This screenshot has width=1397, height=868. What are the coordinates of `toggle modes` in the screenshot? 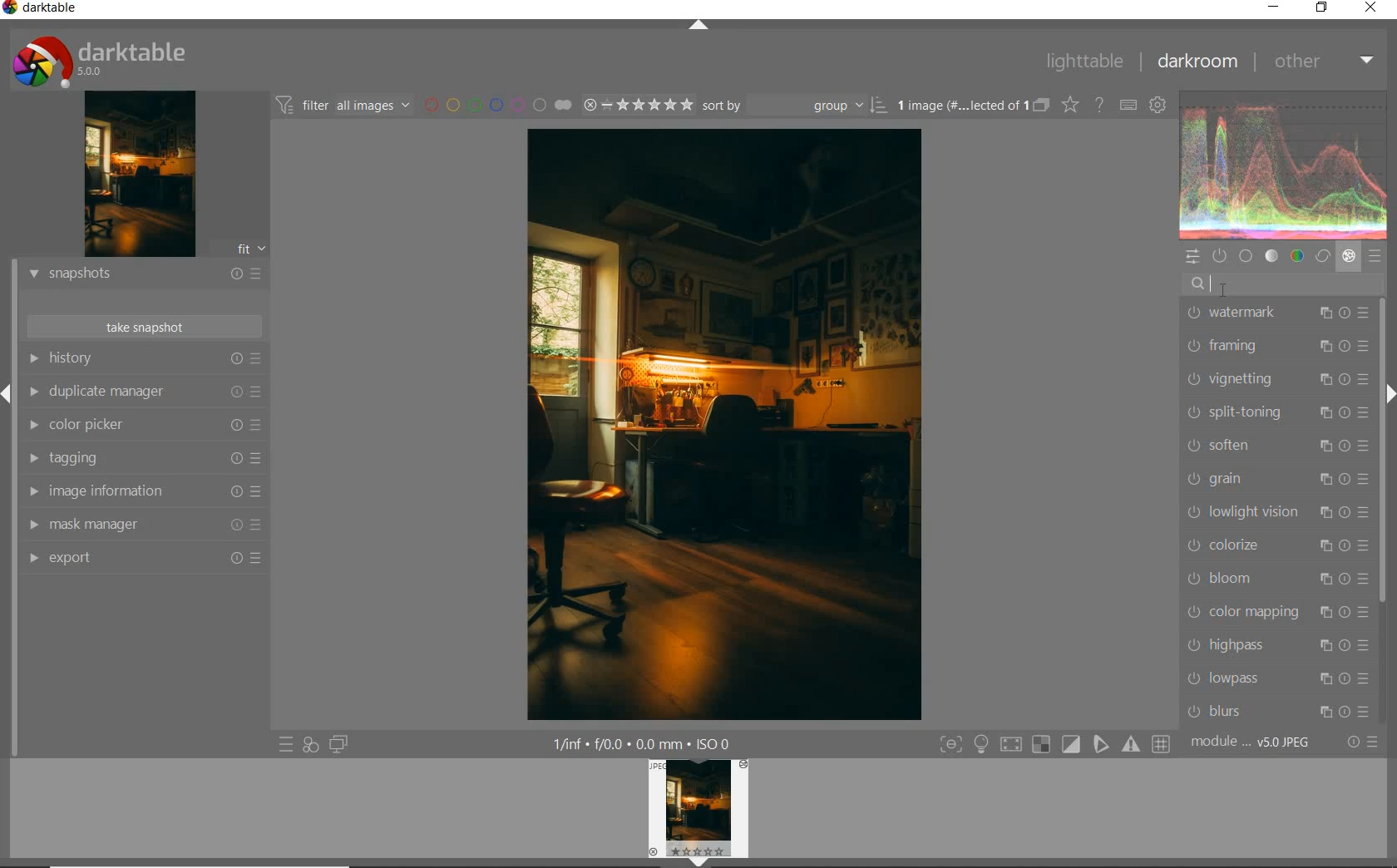 It's located at (1055, 742).